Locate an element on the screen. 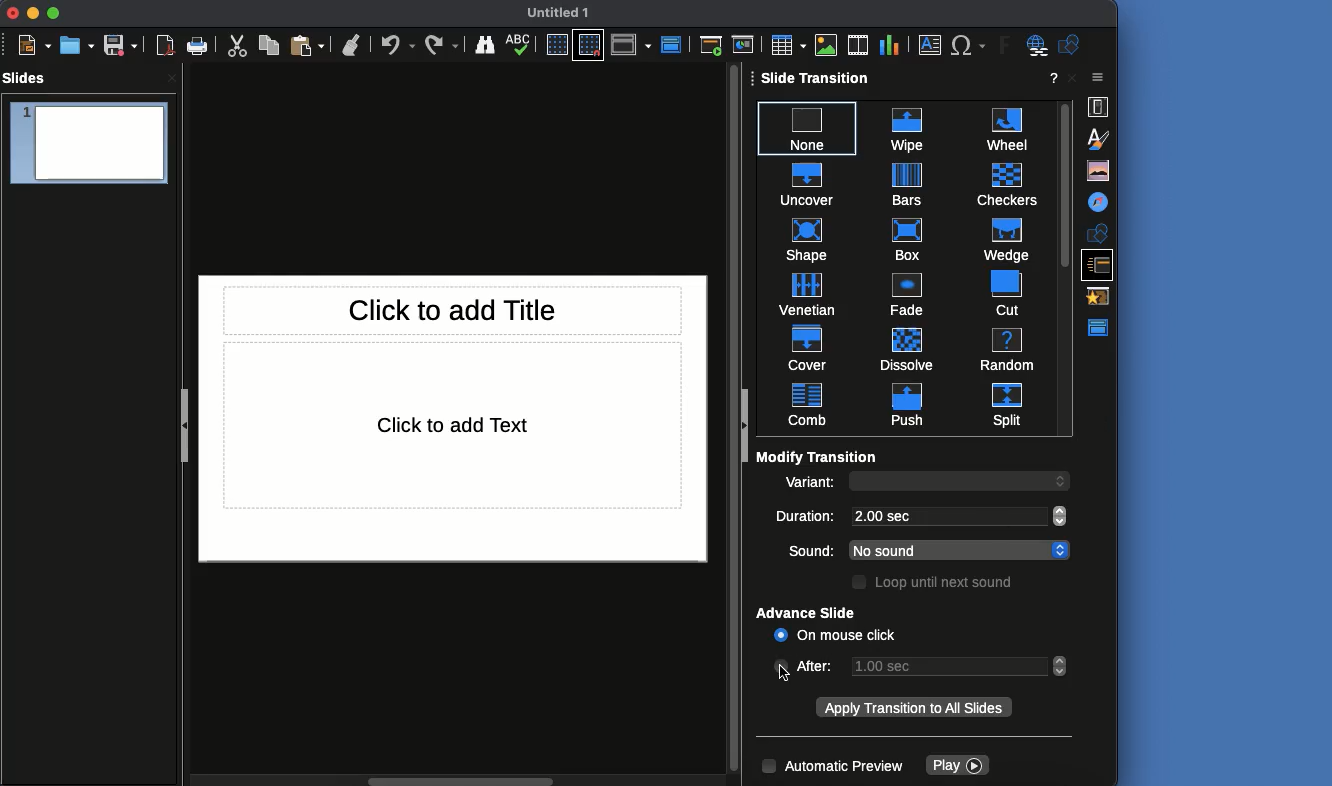 This screenshot has width=1332, height=786. Chart is located at coordinates (889, 44).